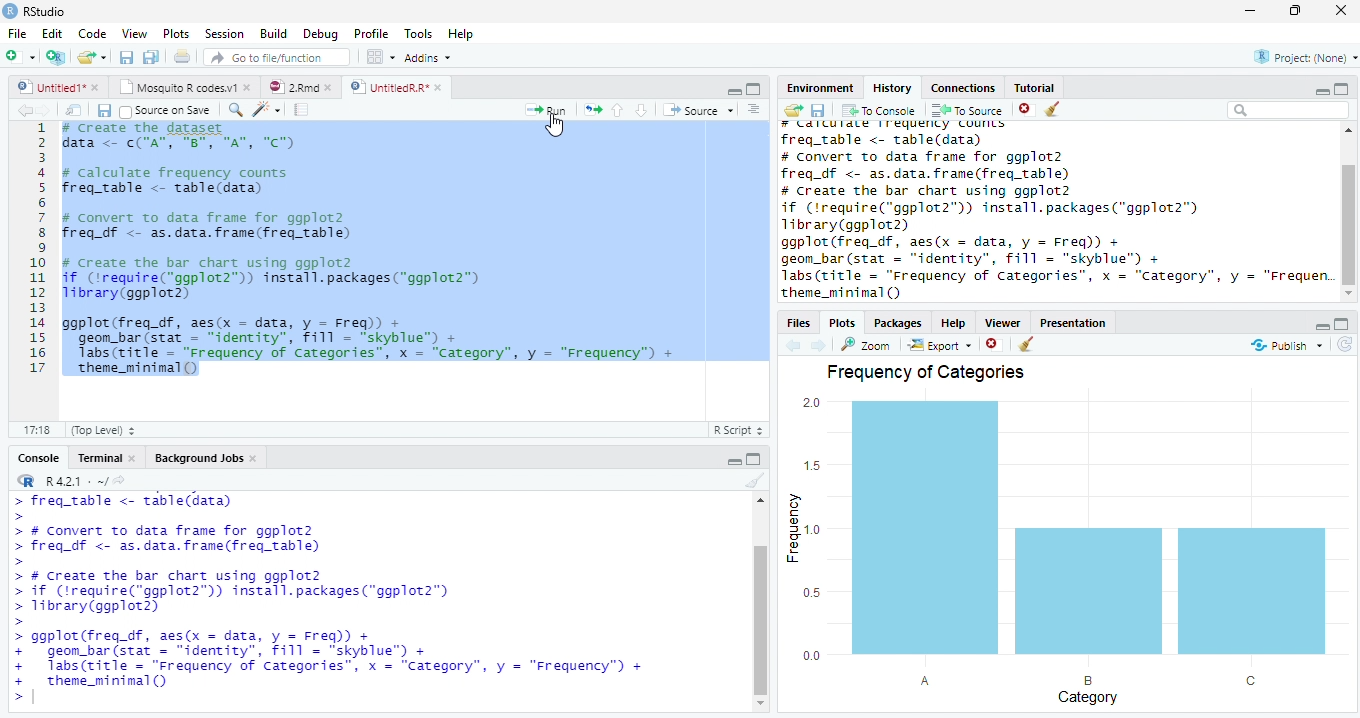 Image resolution: width=1360 pixels, height=718 pixels. I want to click on Go to the previous section, so click(617, 109).